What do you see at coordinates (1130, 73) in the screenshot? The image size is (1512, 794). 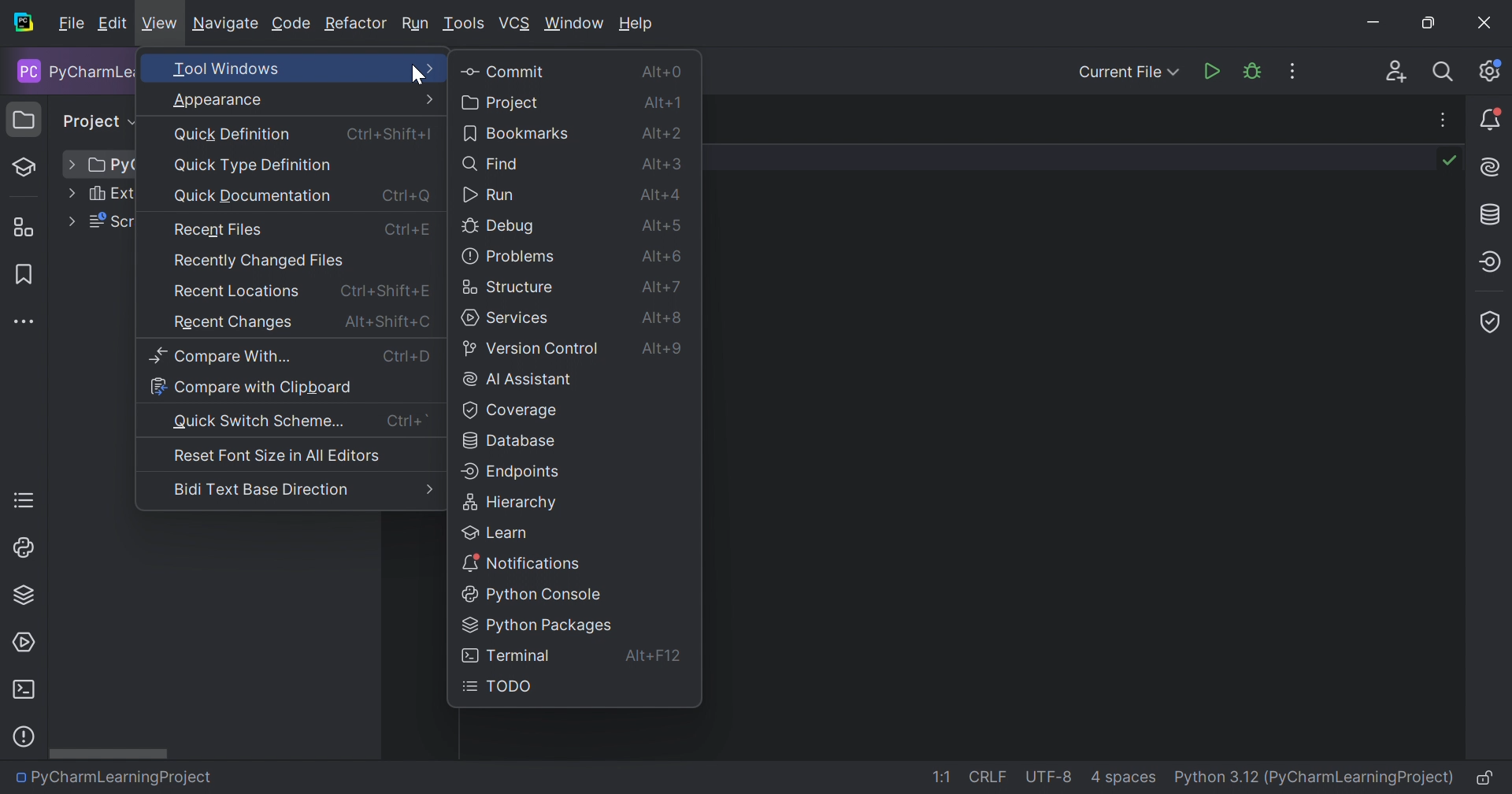 I see `Current File` at bounding box center [1130, 73].